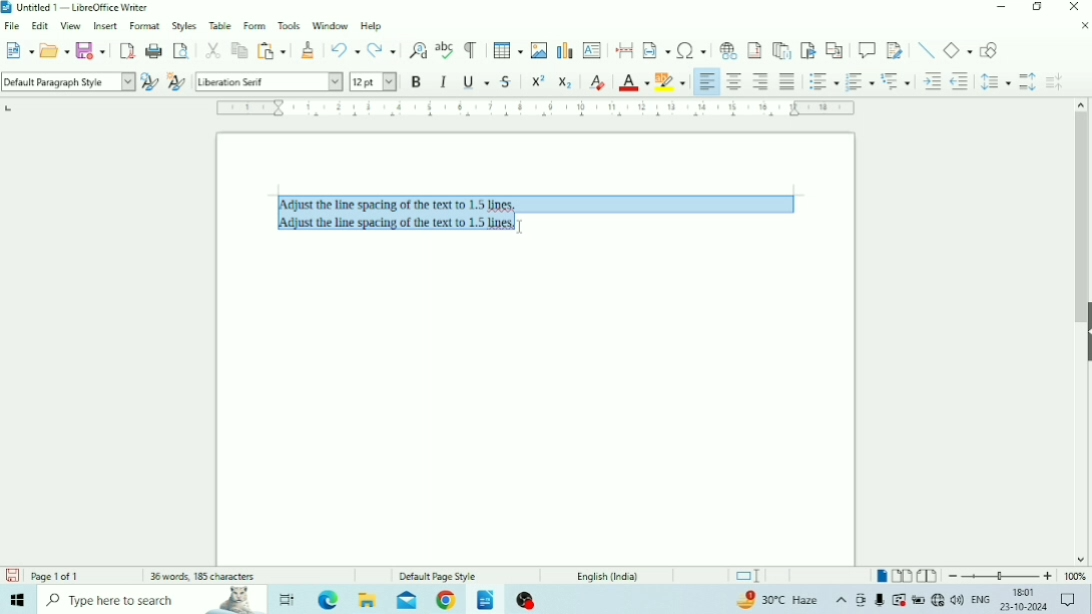 This screenshot has width=1092, height=614. Describe the element at coordinates (981, 599) in the screenshot. I see `Language` at that location.